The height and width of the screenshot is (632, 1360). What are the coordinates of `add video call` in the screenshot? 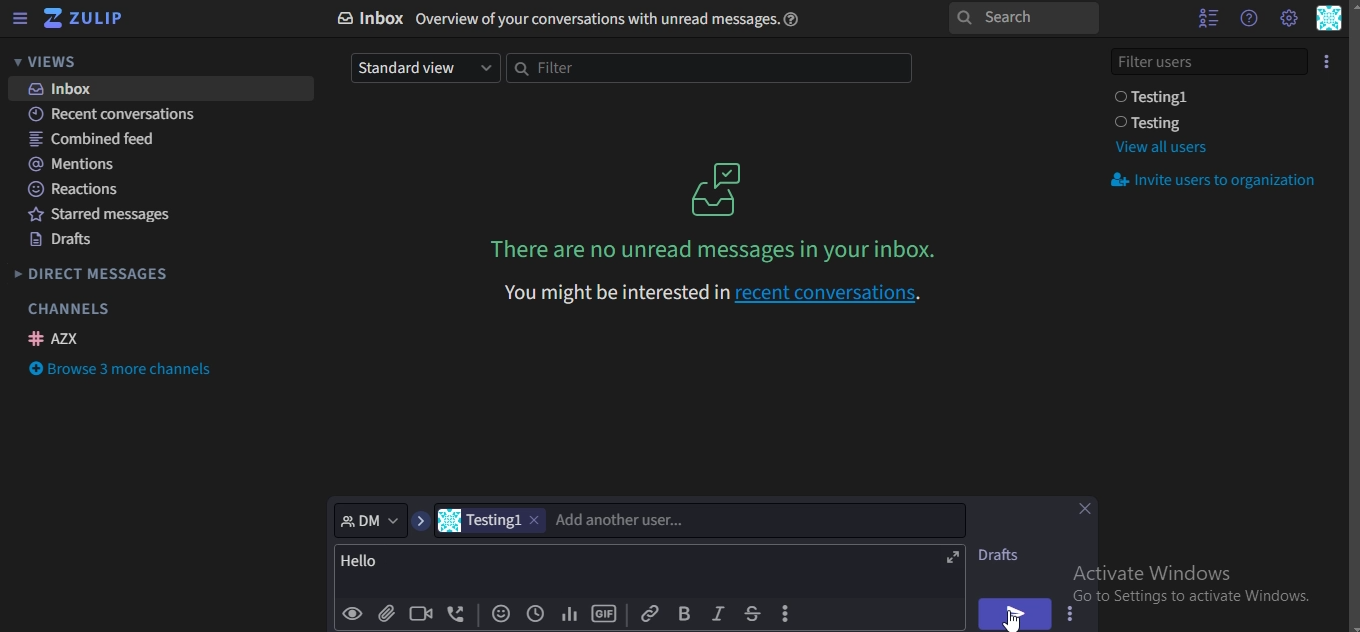 It's located at (422, 613).